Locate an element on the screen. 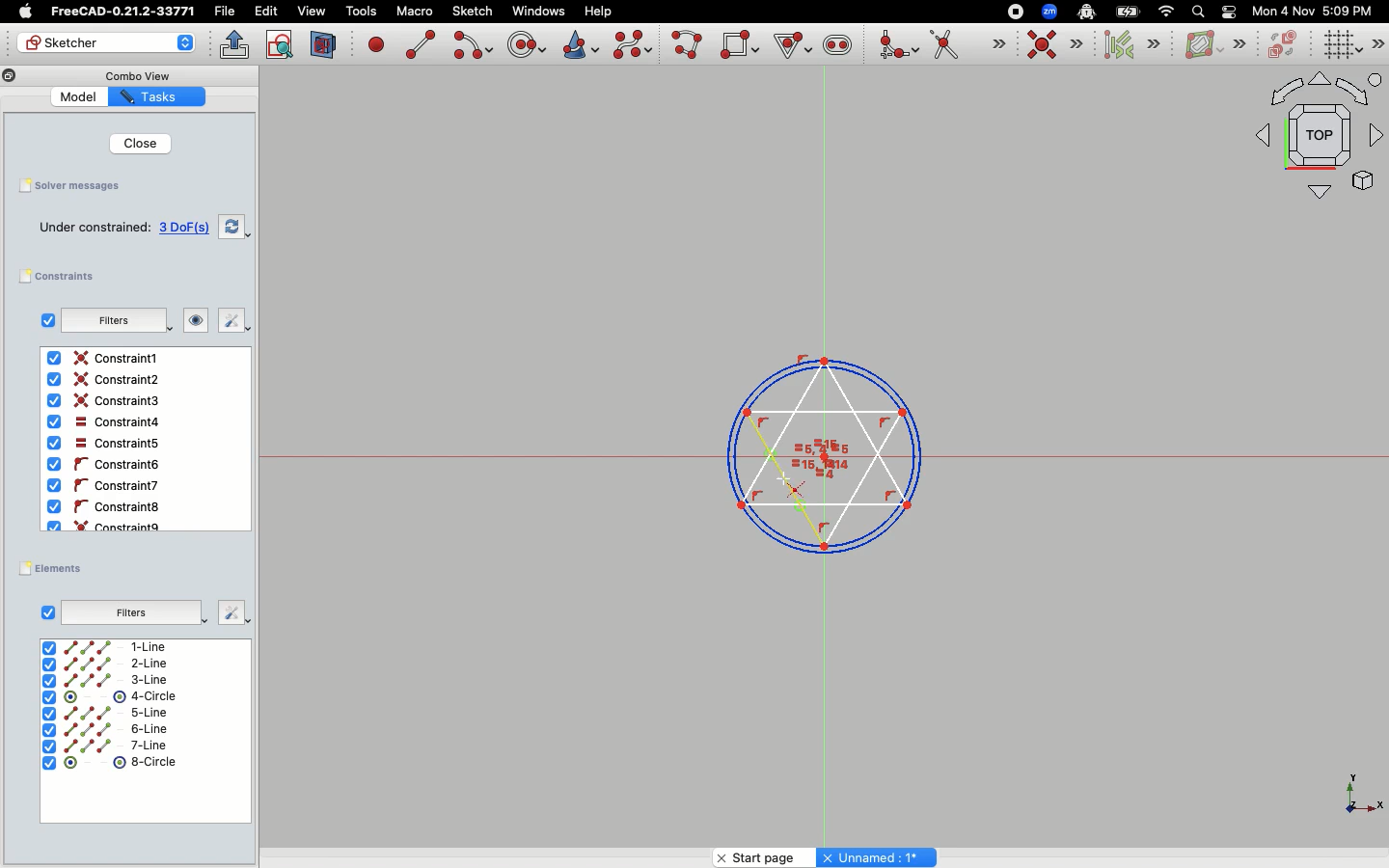 This screenshot has width=1389, height=868. Tasks is located at coordinates (160, 96).